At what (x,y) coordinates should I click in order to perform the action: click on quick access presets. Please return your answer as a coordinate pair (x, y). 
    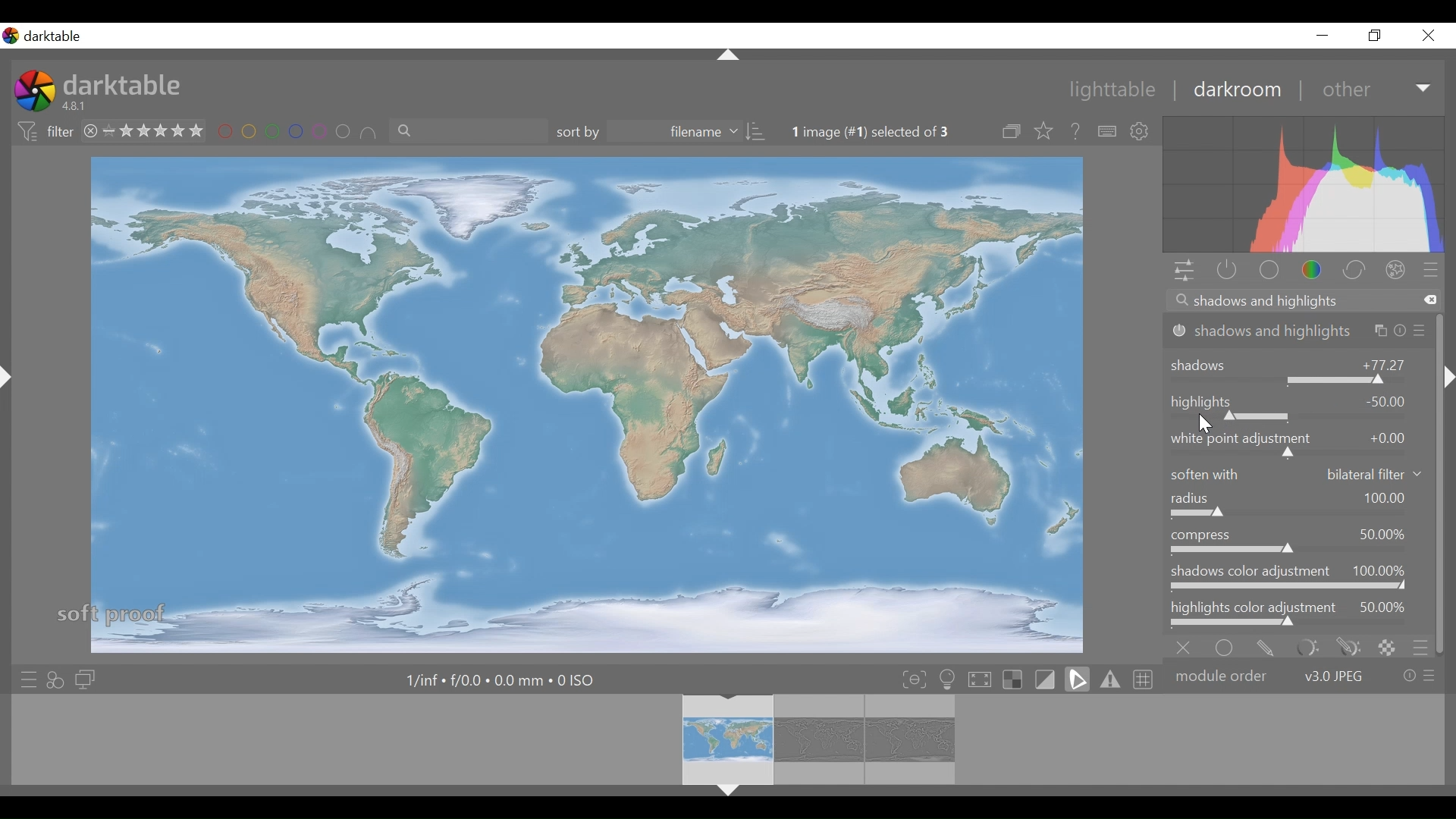
    Looking at the image, I should click on (25, 677).